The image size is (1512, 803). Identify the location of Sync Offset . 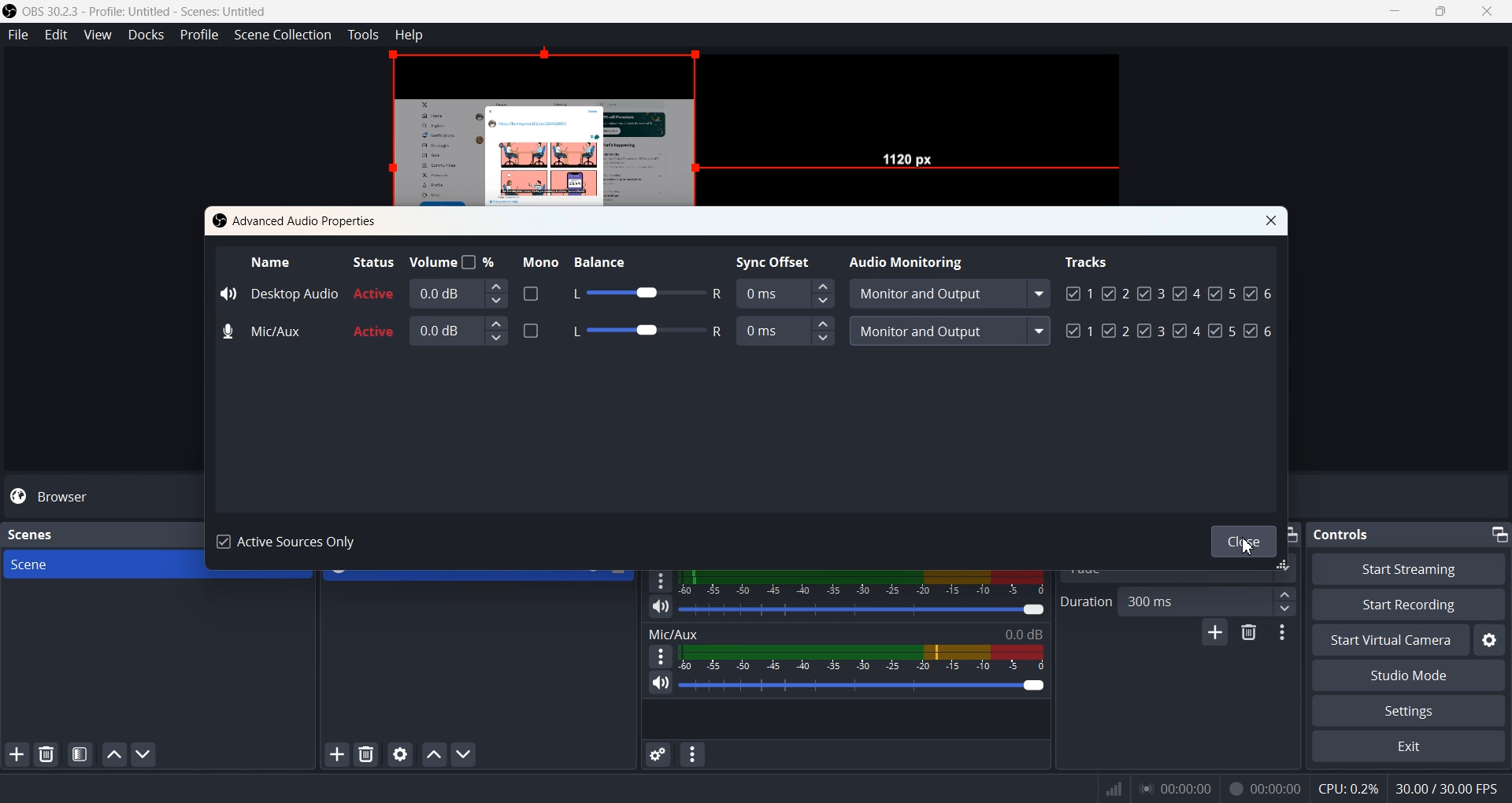
(787, 331).